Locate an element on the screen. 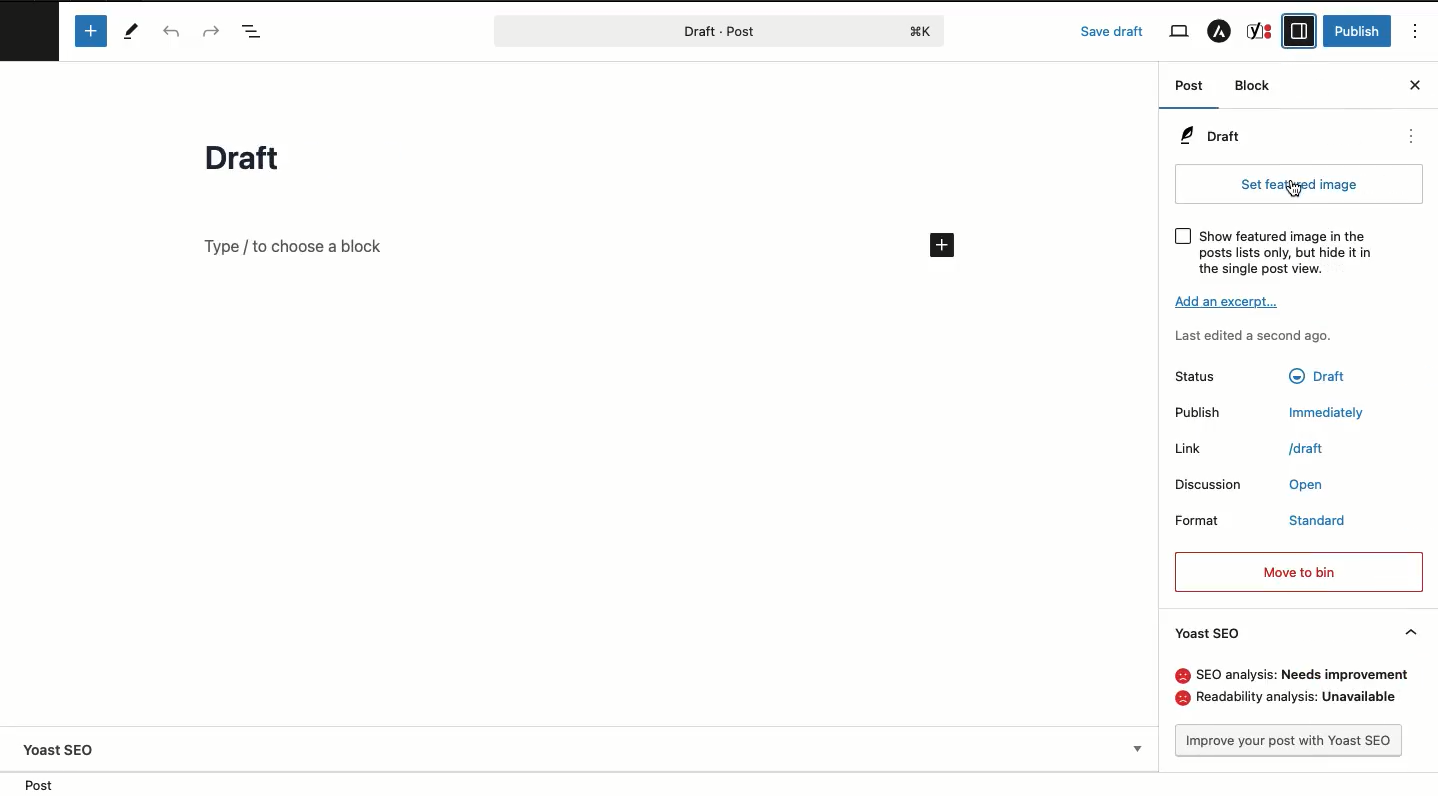 The width and height of the screenshot is (1438, 796). Redo is located at coordinates (215, 31).